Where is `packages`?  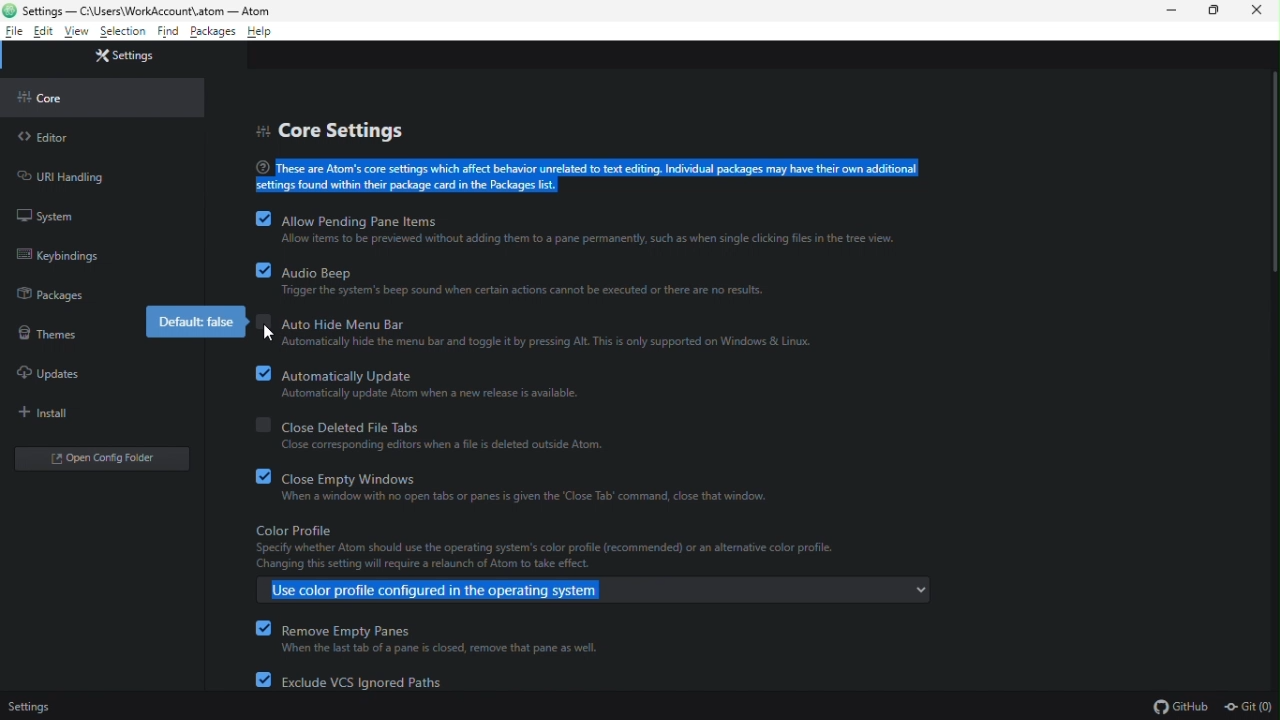
packages is located at coordinates (214, 32).